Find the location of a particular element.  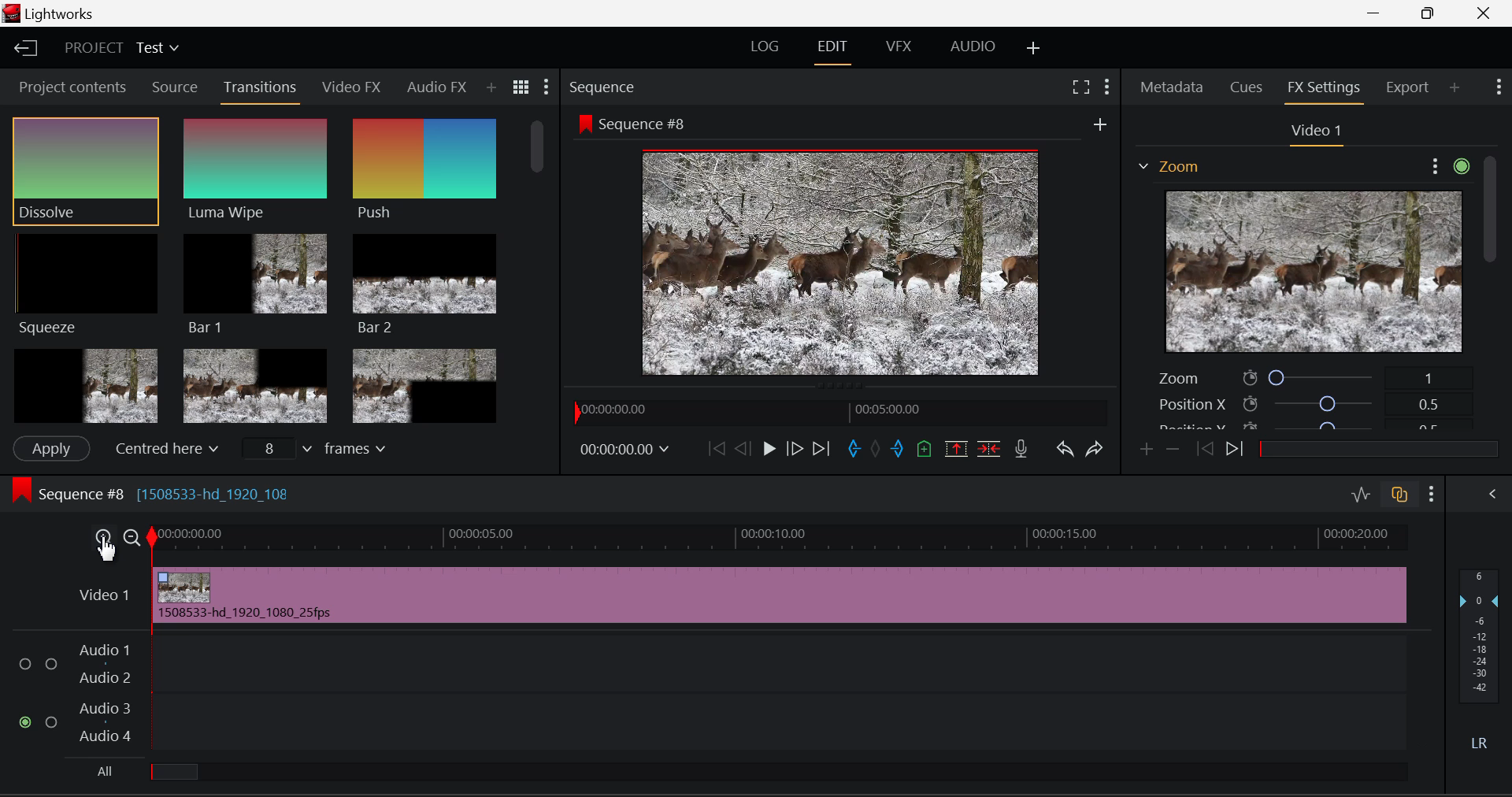

Dissolve is located at coordinates (85, 171).